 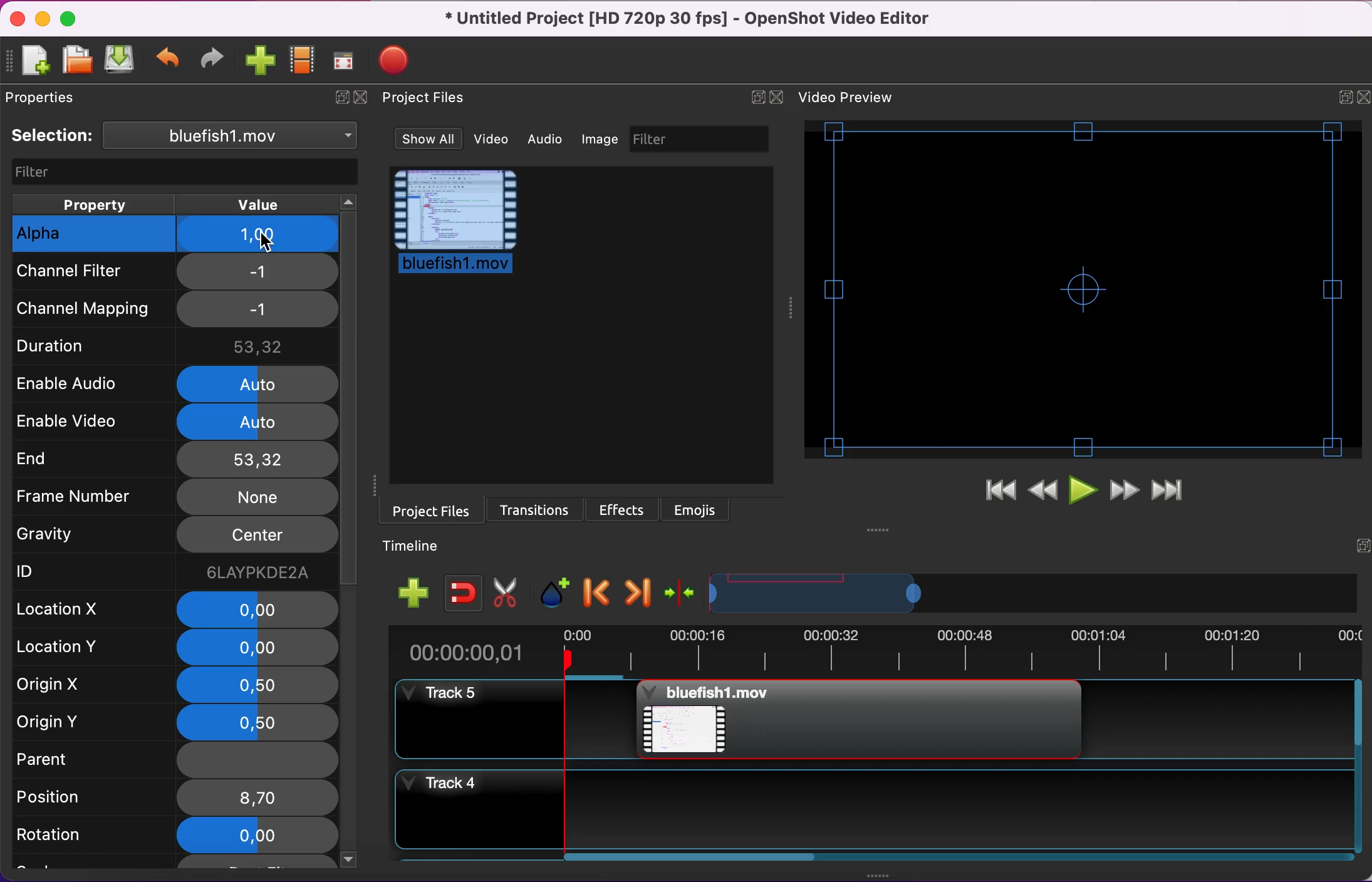 I want to click on 0,5, so click(x=256, y=685).